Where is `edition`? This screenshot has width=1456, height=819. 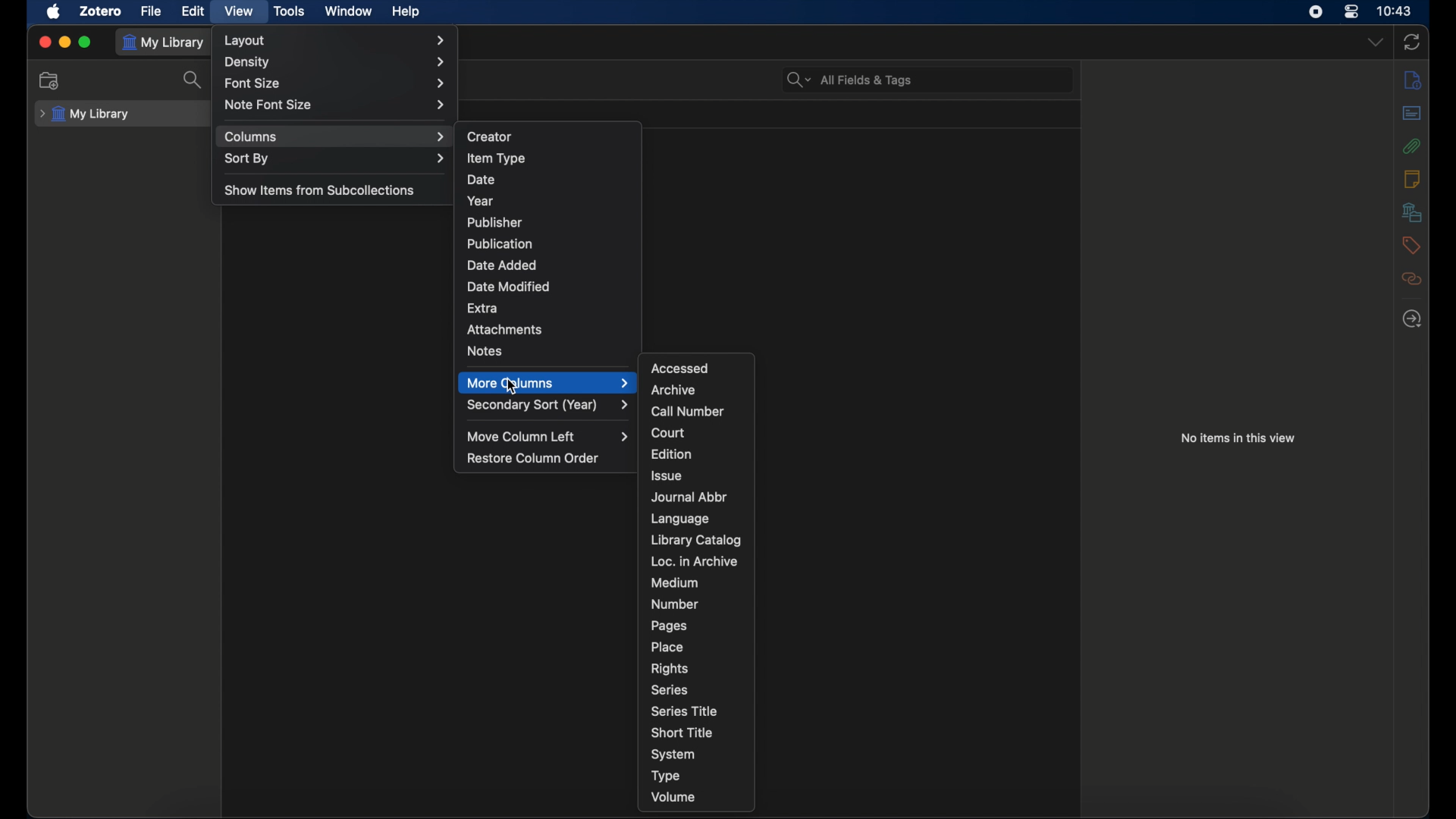
edition is located at coordinates (670, 453).